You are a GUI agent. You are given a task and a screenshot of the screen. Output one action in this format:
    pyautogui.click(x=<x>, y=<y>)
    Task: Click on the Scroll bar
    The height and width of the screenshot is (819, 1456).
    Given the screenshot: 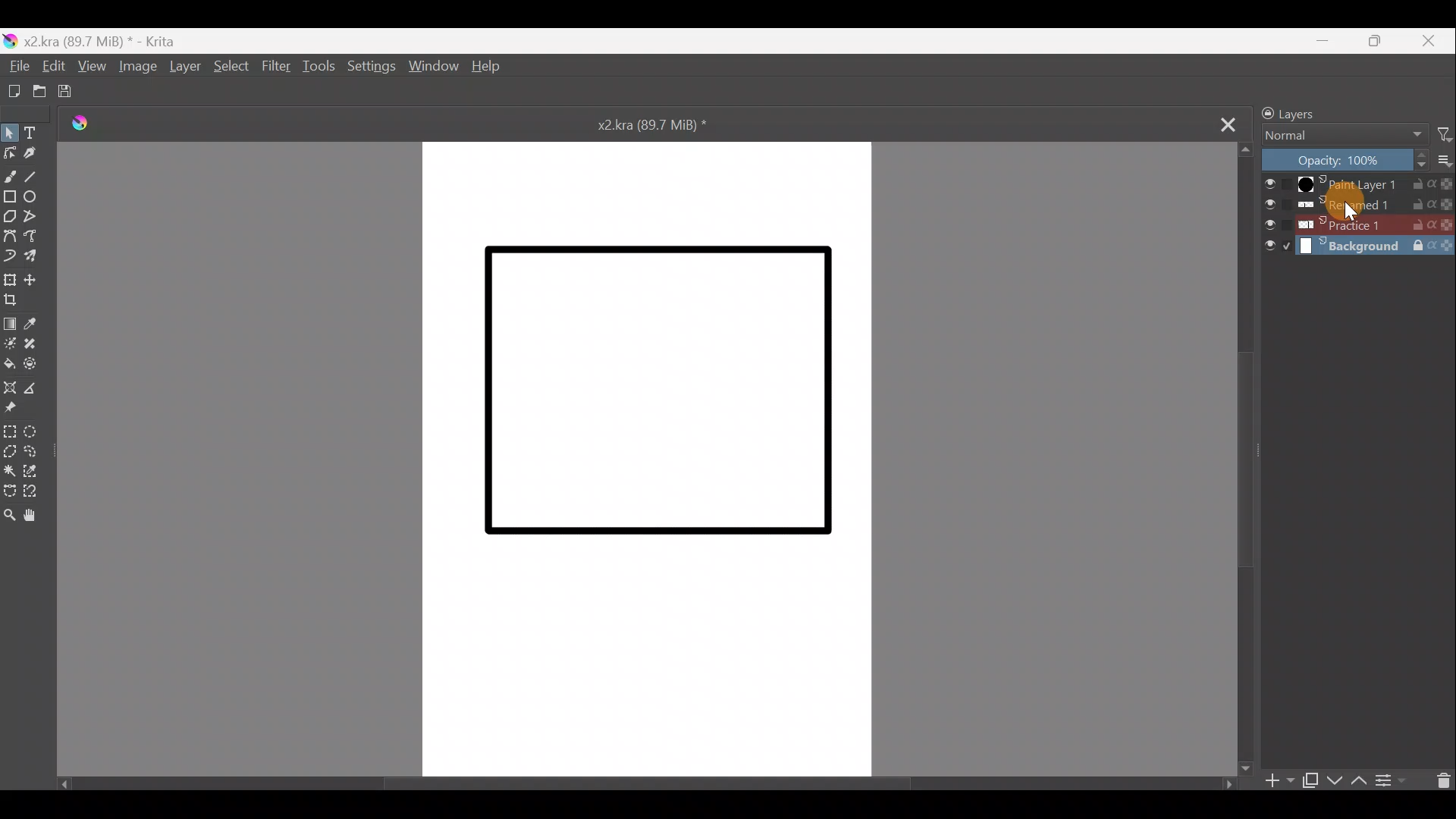 What is the action you would take?
    pyautogui.click(x=1239, y=462)
    